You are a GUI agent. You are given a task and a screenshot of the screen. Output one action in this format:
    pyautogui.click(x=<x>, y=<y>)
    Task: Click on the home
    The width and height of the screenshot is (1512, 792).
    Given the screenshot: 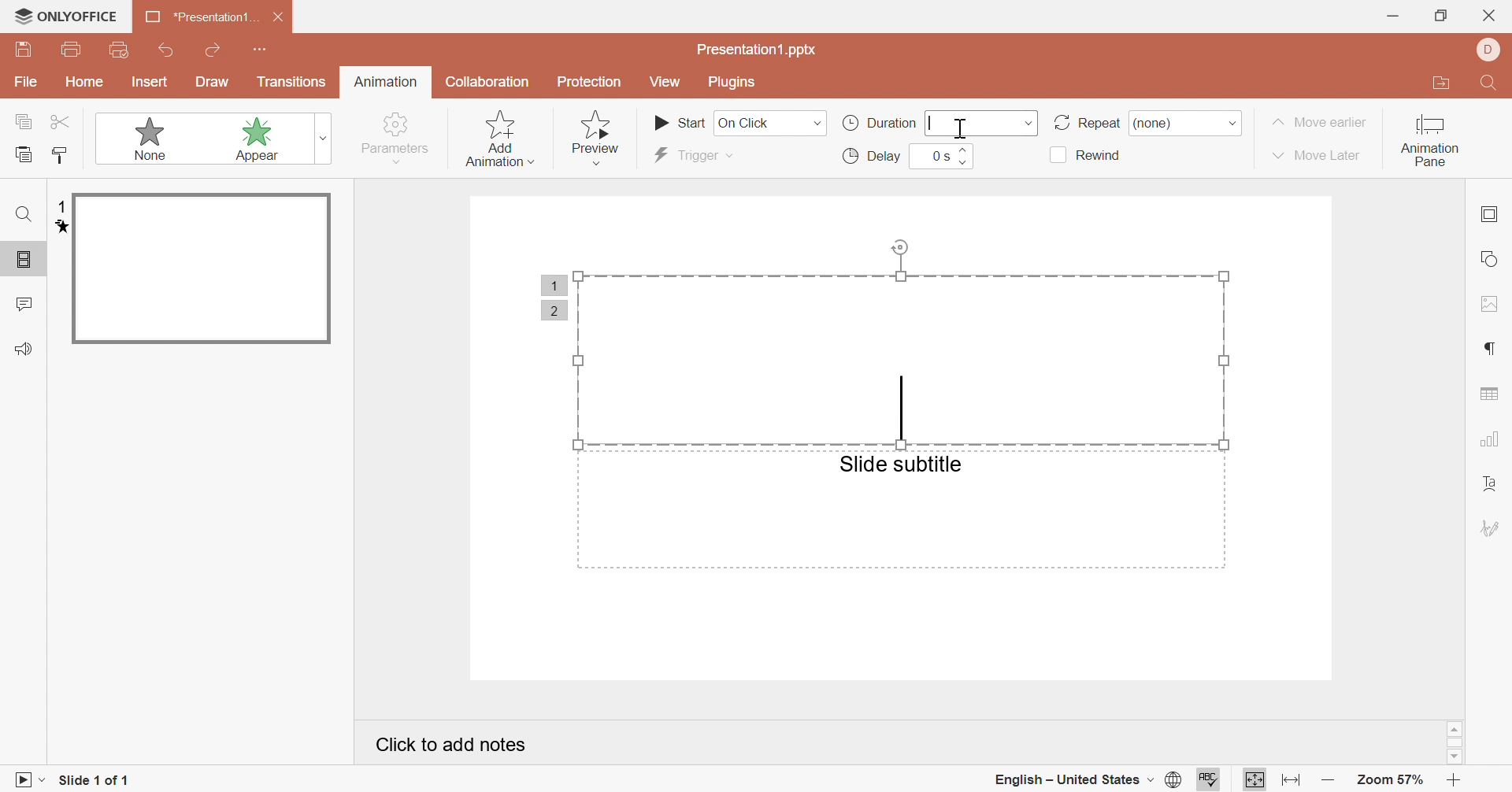 What is the action you would take?
    pyautogui.click(x=86, y=81)
    